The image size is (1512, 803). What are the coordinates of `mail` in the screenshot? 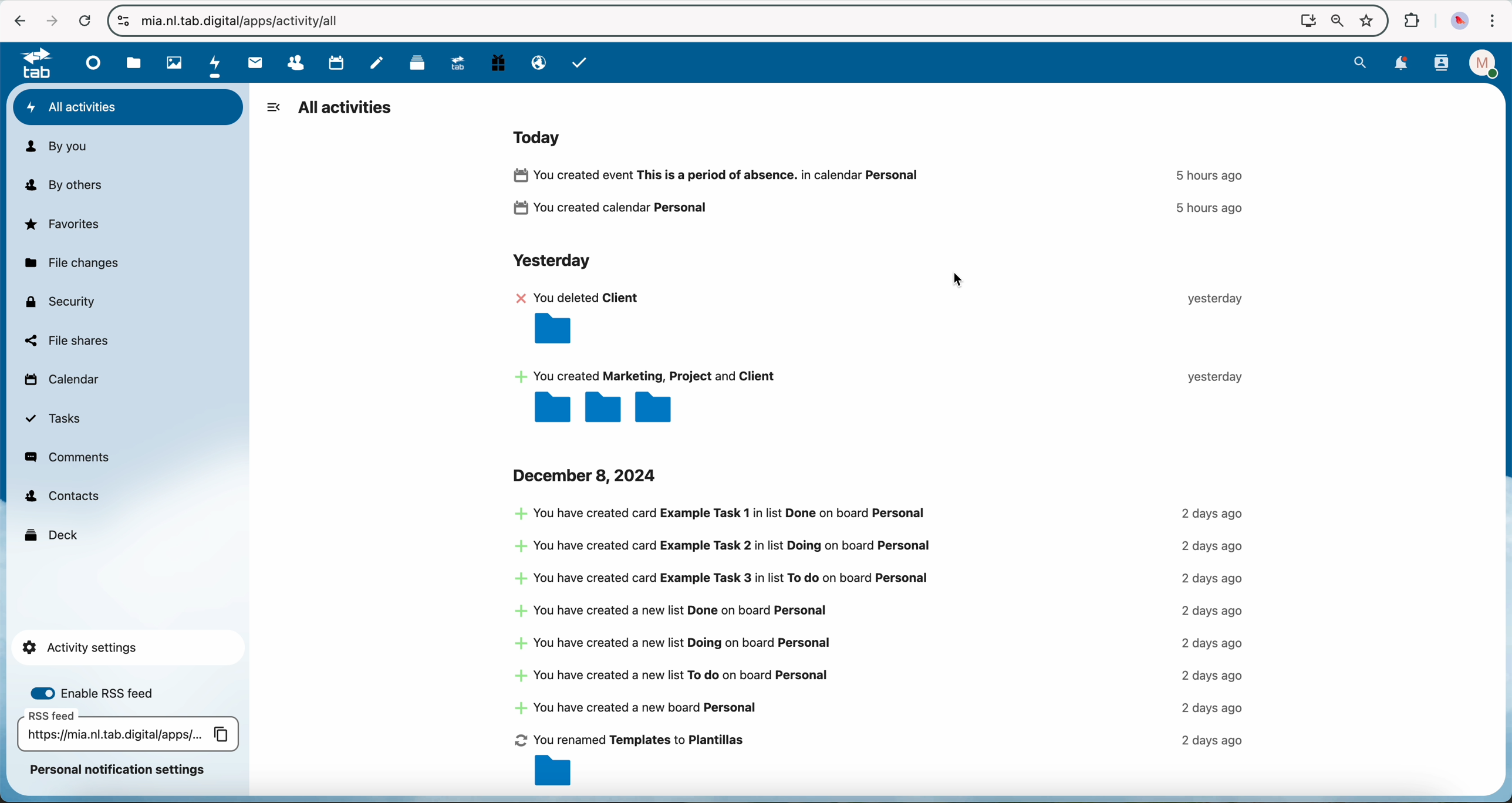 It's located at (253, 63).